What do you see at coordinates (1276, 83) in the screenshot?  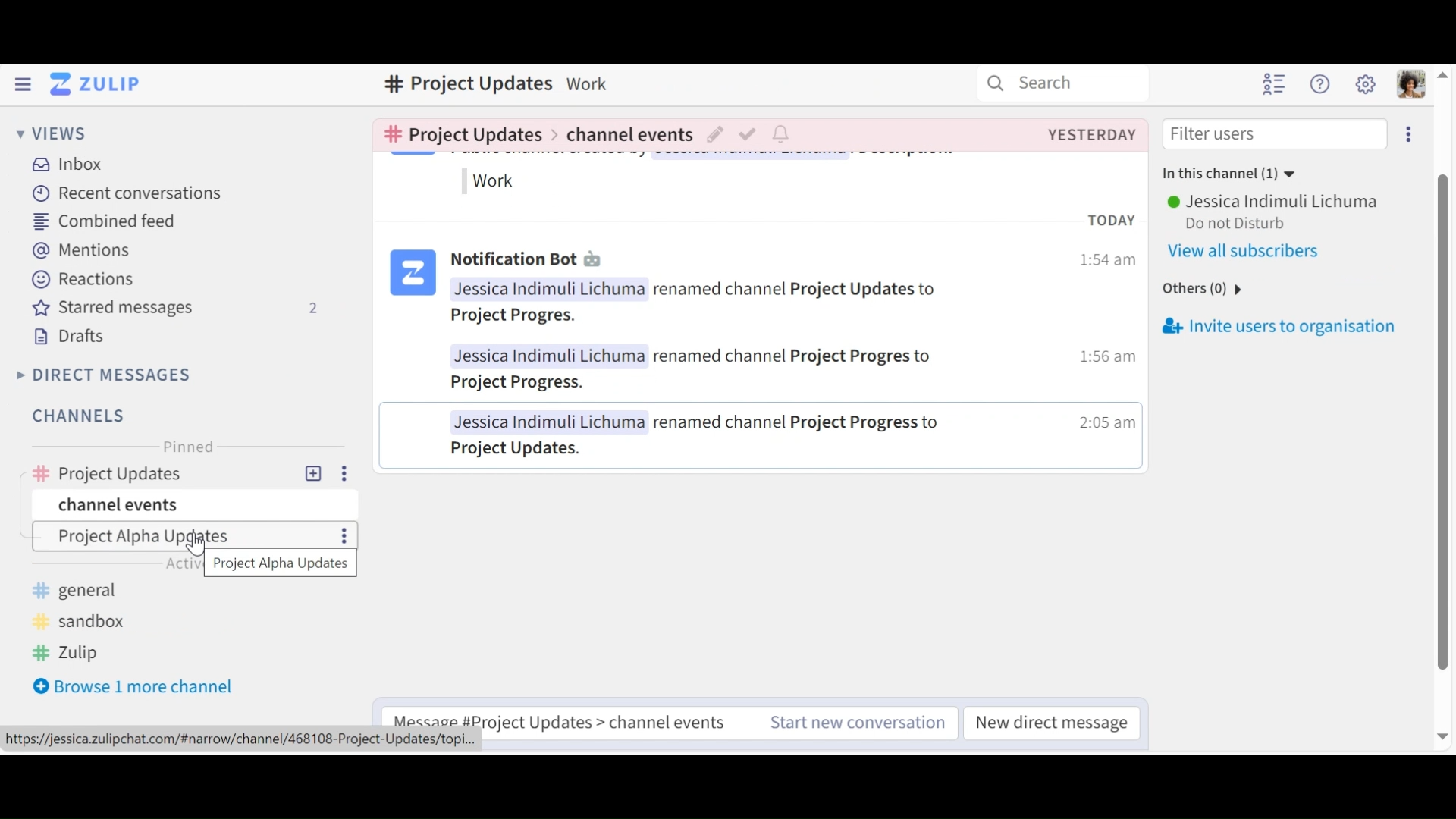 I see `Hide user list` at bounding box center [1276, 83].